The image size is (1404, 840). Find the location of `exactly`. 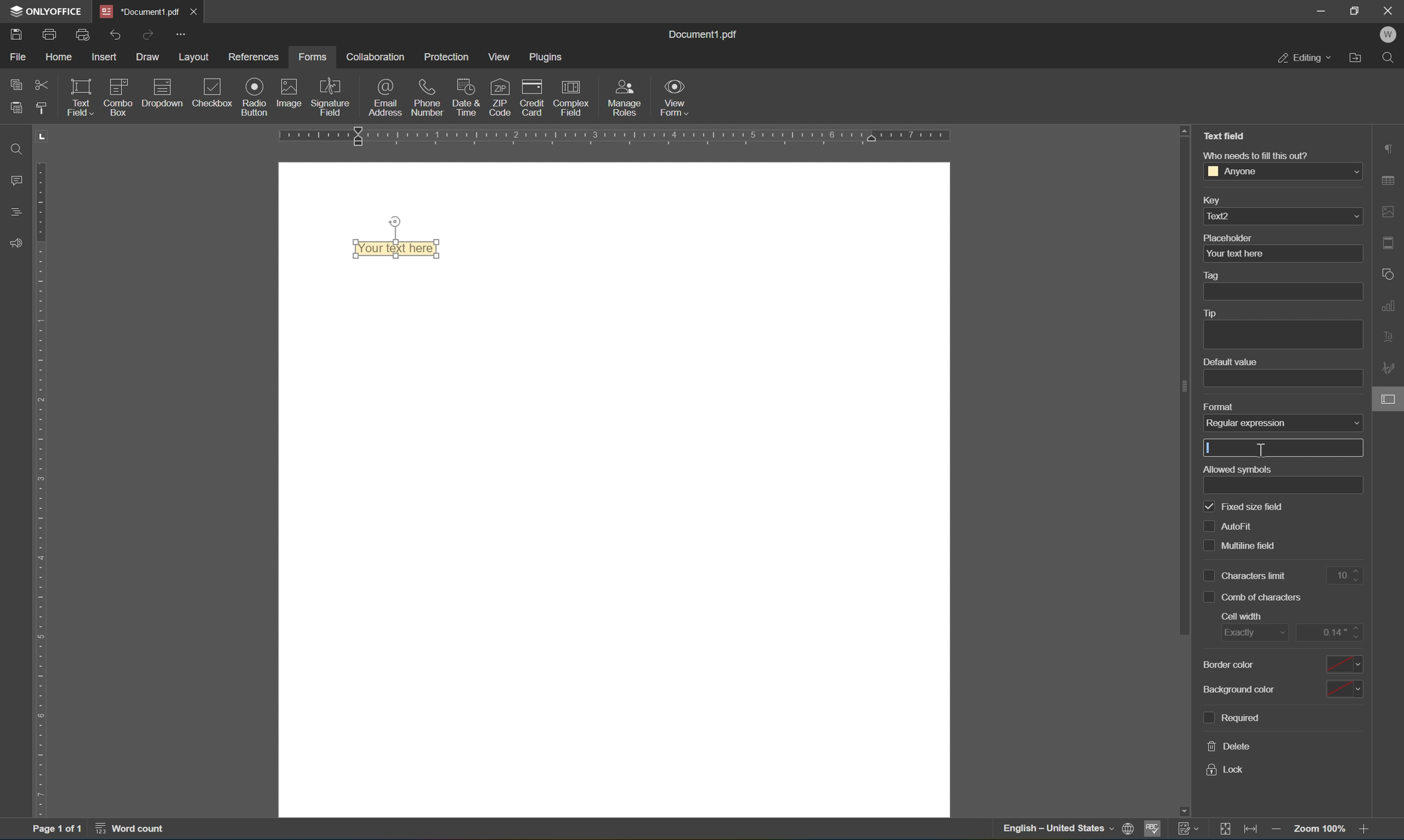

exactly is located at coordinates (1243, 635).